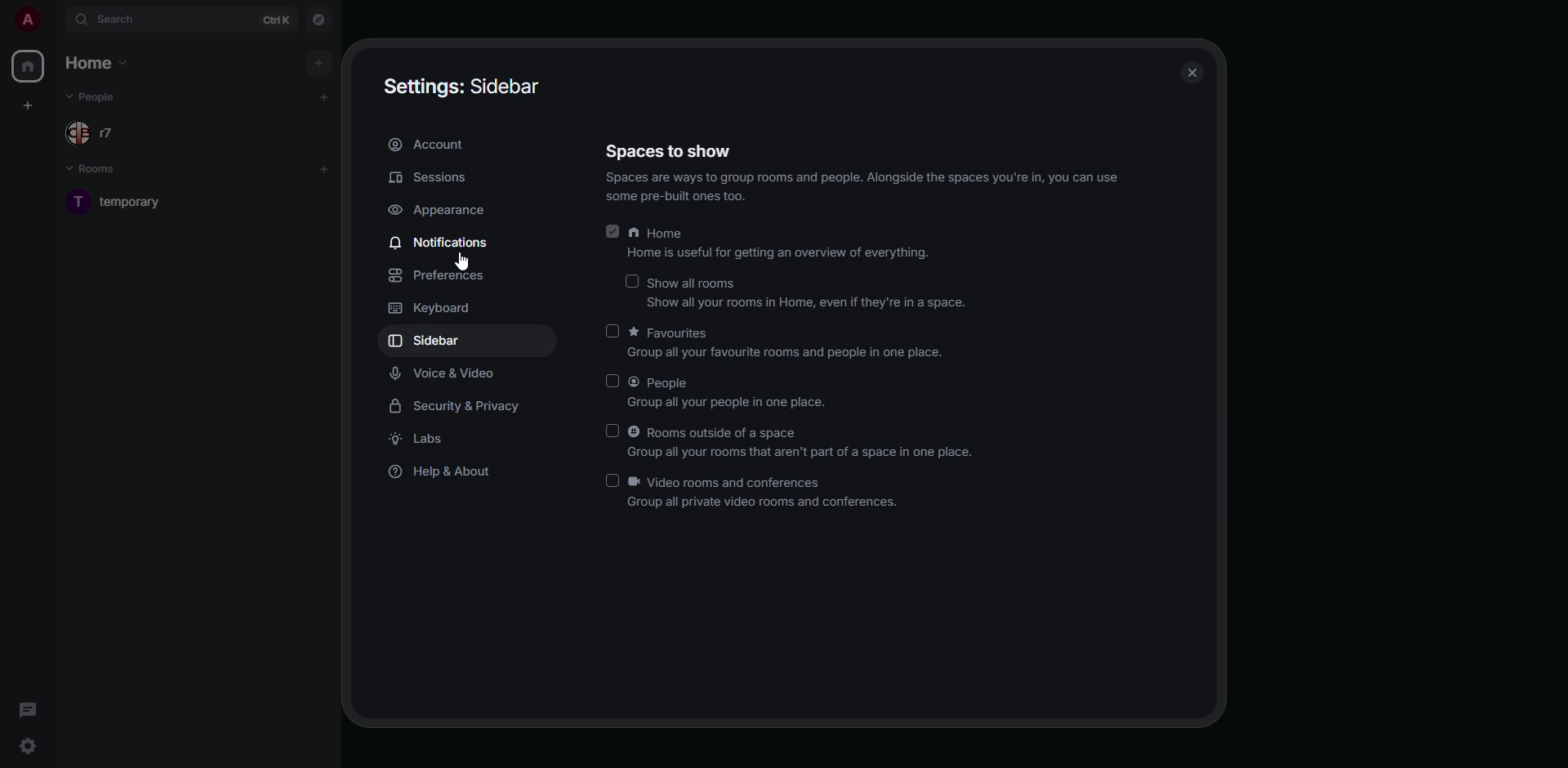 The height and width of the screenshot is (768, 1568). Describe the element at coordinates (804, 443) in the screenshot. I see `rooms outside of a space` at that location.